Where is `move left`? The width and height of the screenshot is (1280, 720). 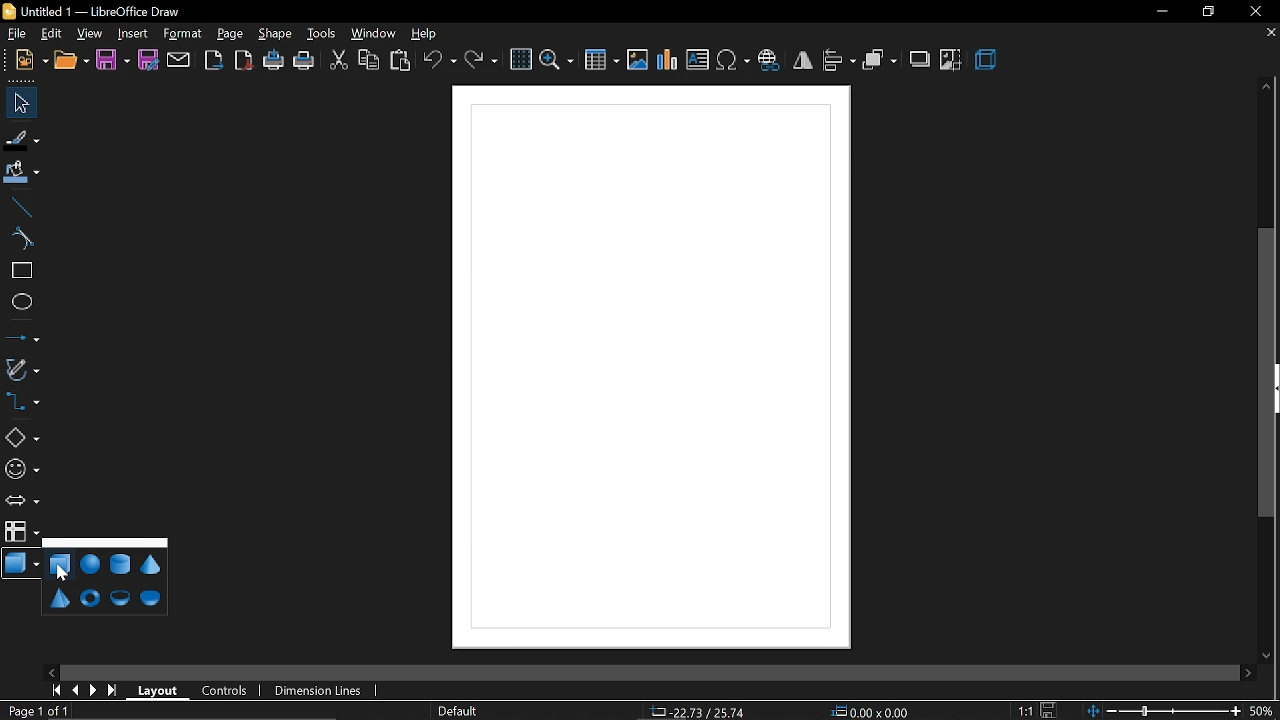 move left is located at coordinates (51, 671).